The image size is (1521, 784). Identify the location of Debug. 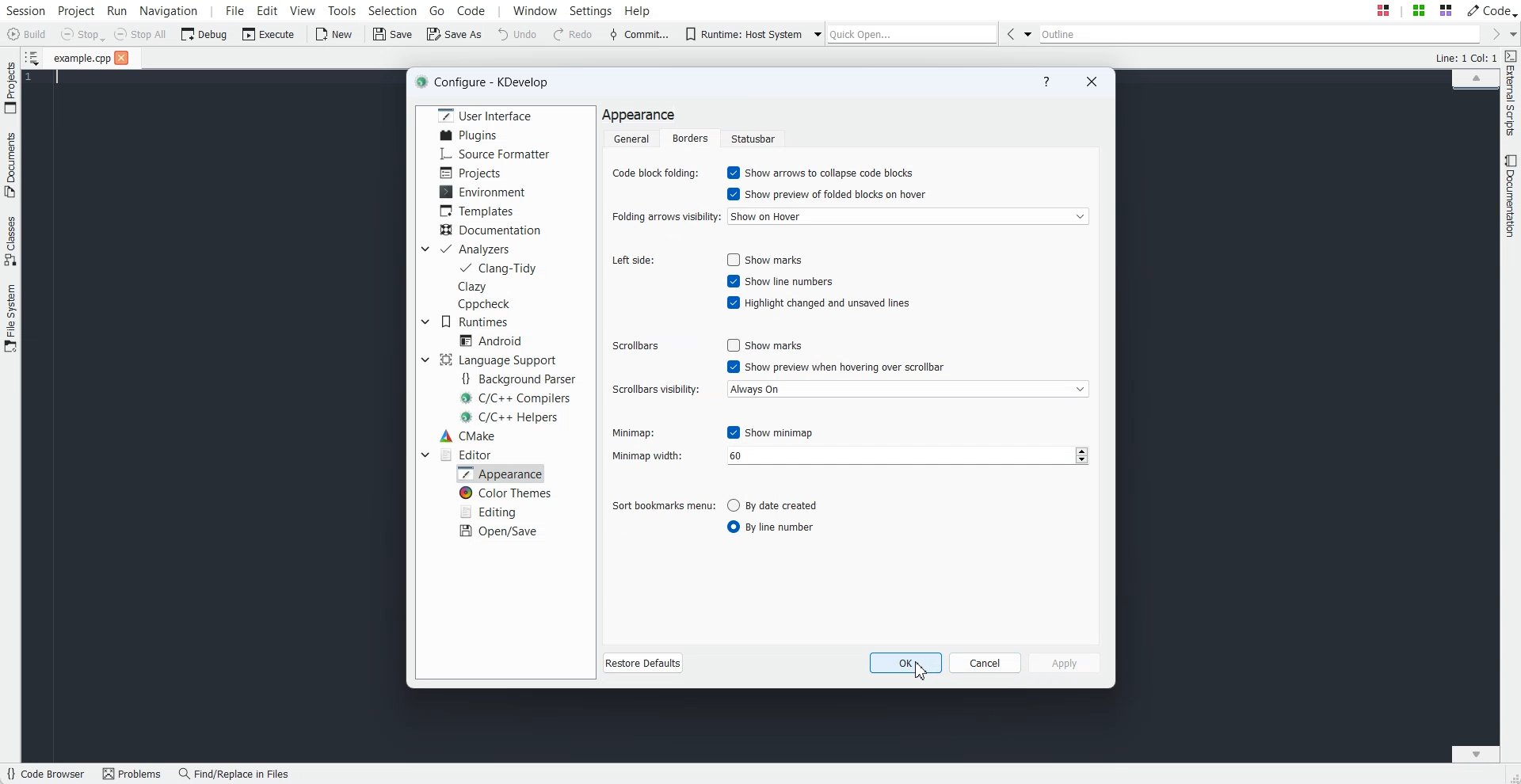
(204, 34).